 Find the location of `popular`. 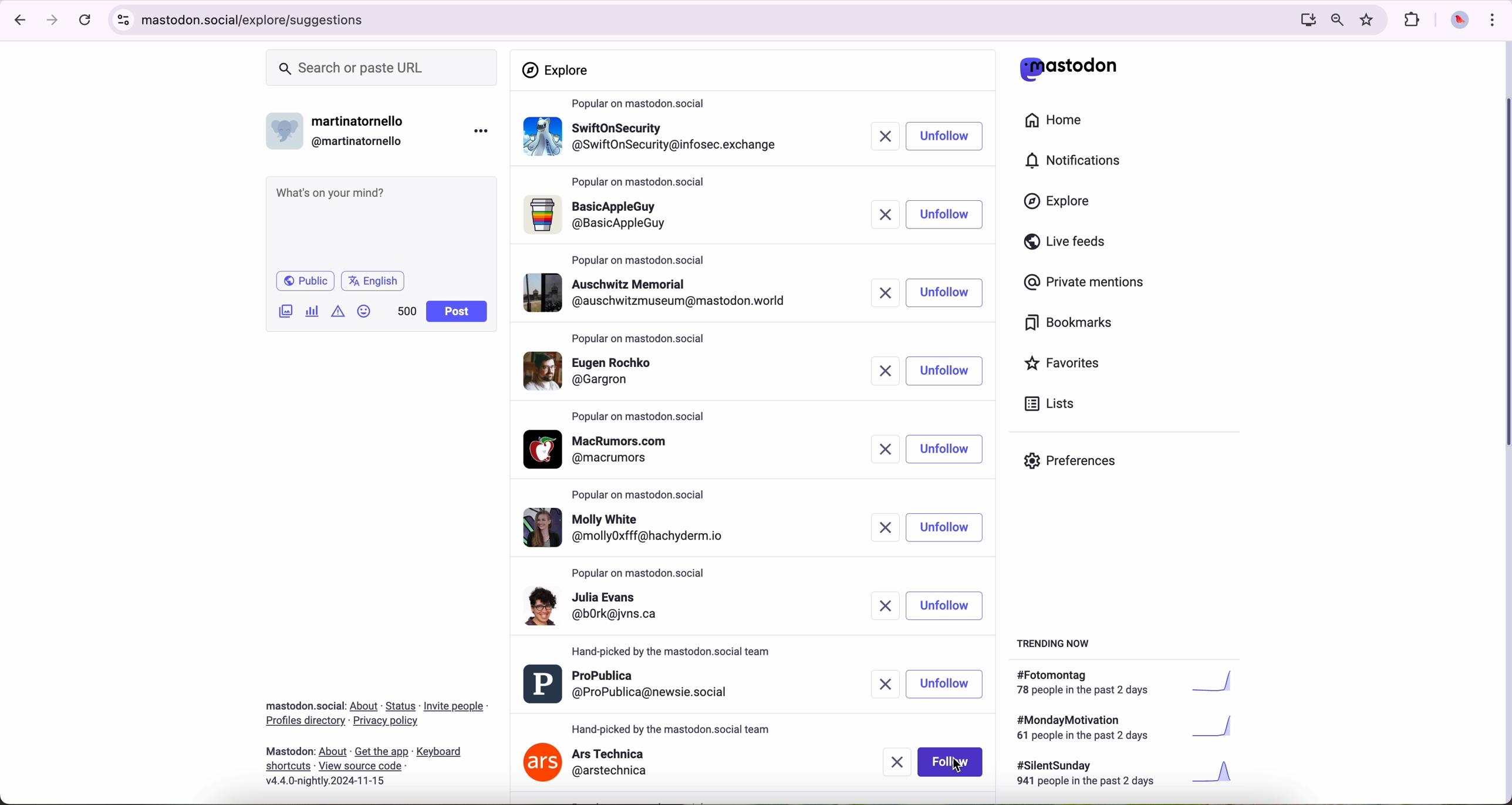

popular is located at coordinates (640, 339).